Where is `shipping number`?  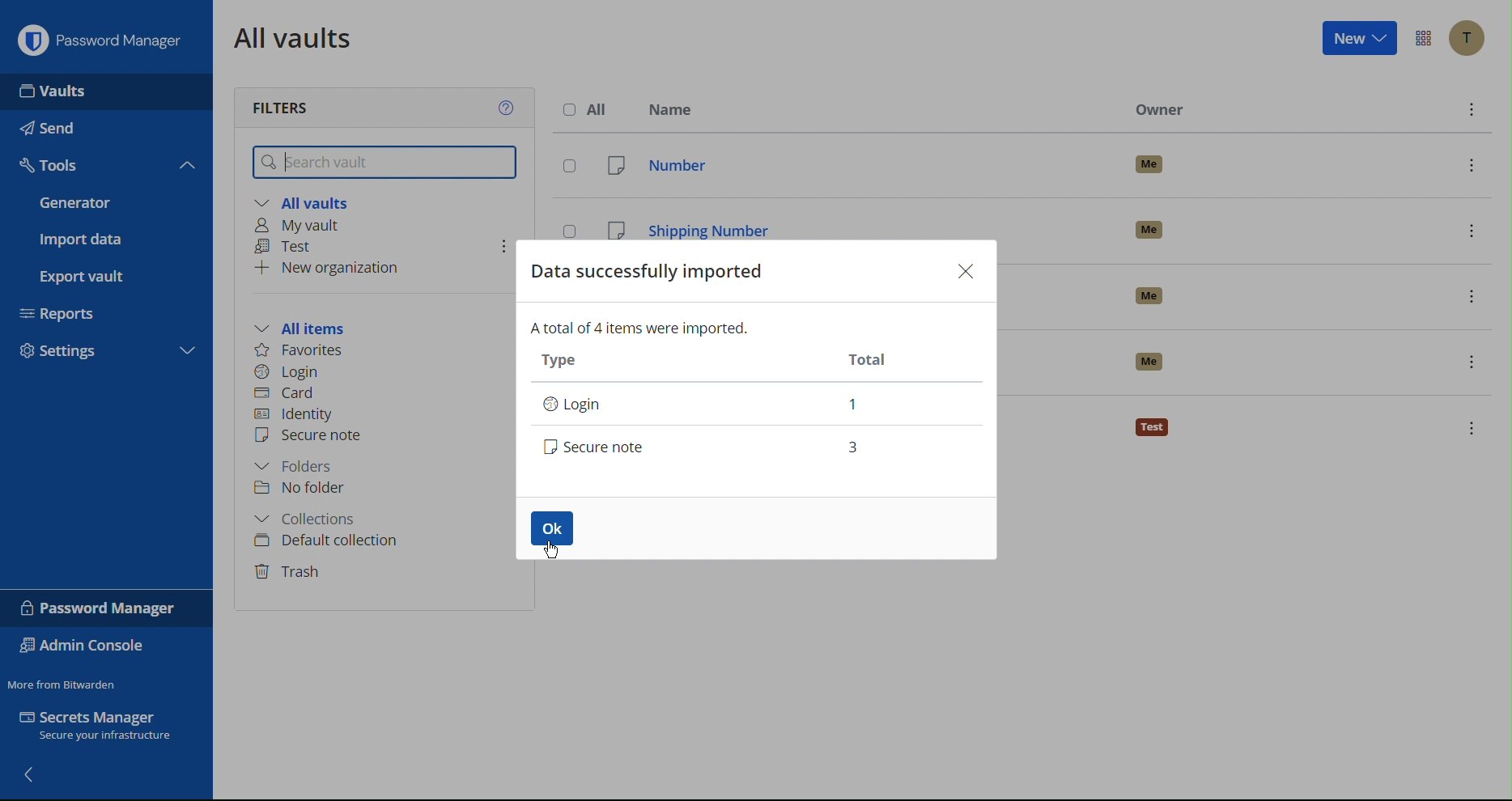 shipping number is located at coordinates (854, 222).